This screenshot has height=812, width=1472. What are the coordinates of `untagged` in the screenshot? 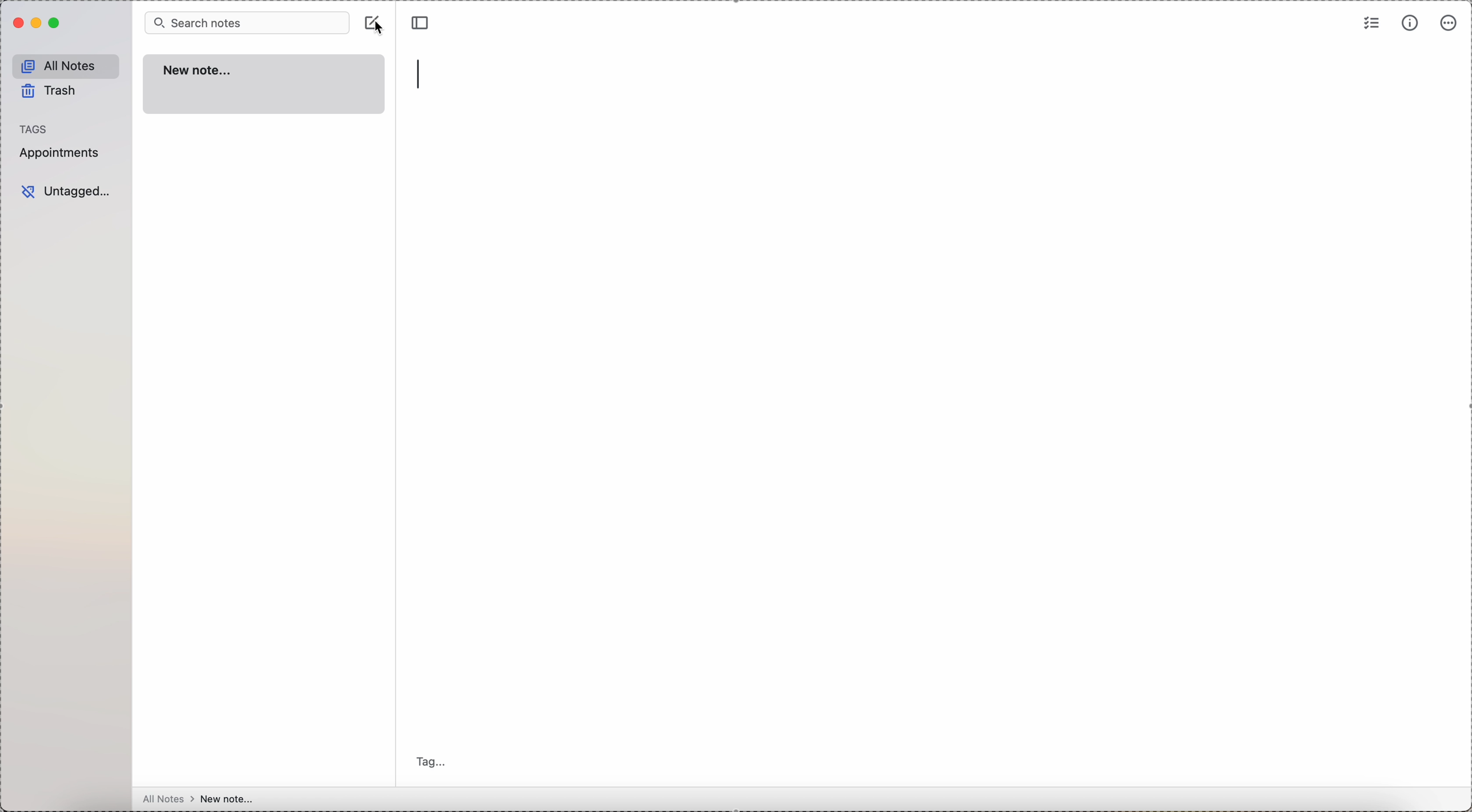 It's located at (66, 191).